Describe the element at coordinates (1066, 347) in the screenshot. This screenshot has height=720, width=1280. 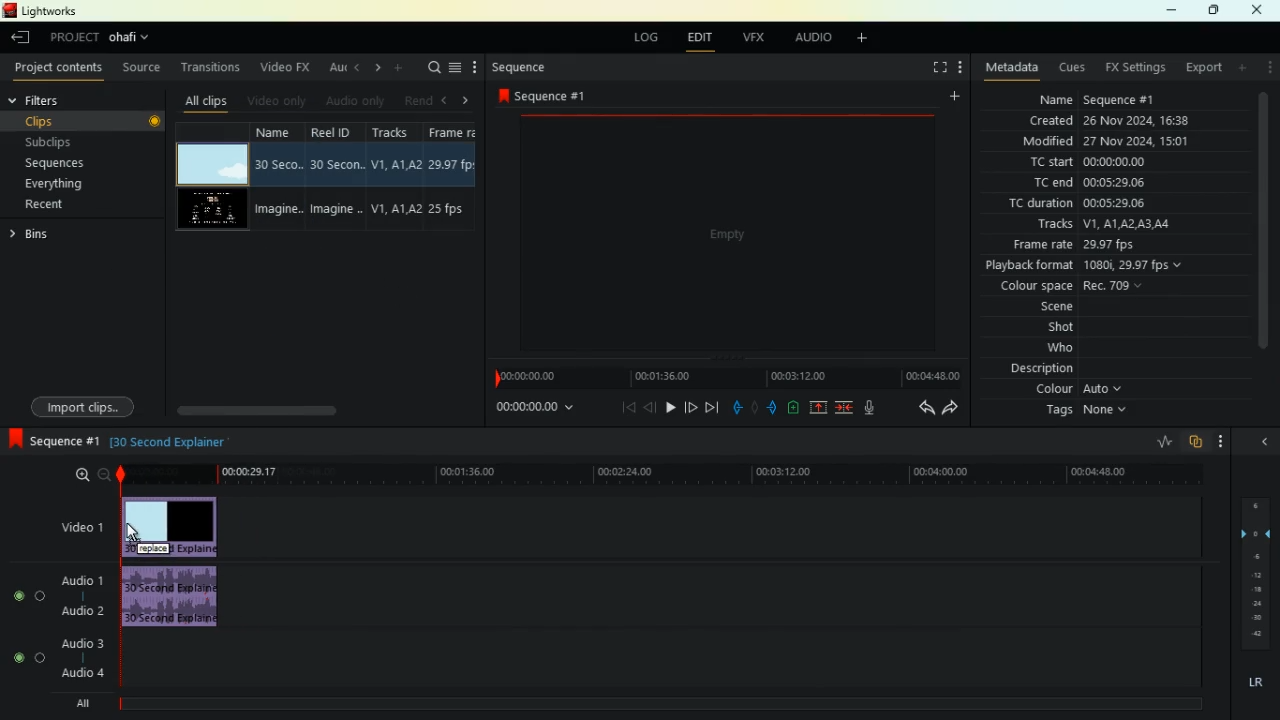
I see `who` at that location.